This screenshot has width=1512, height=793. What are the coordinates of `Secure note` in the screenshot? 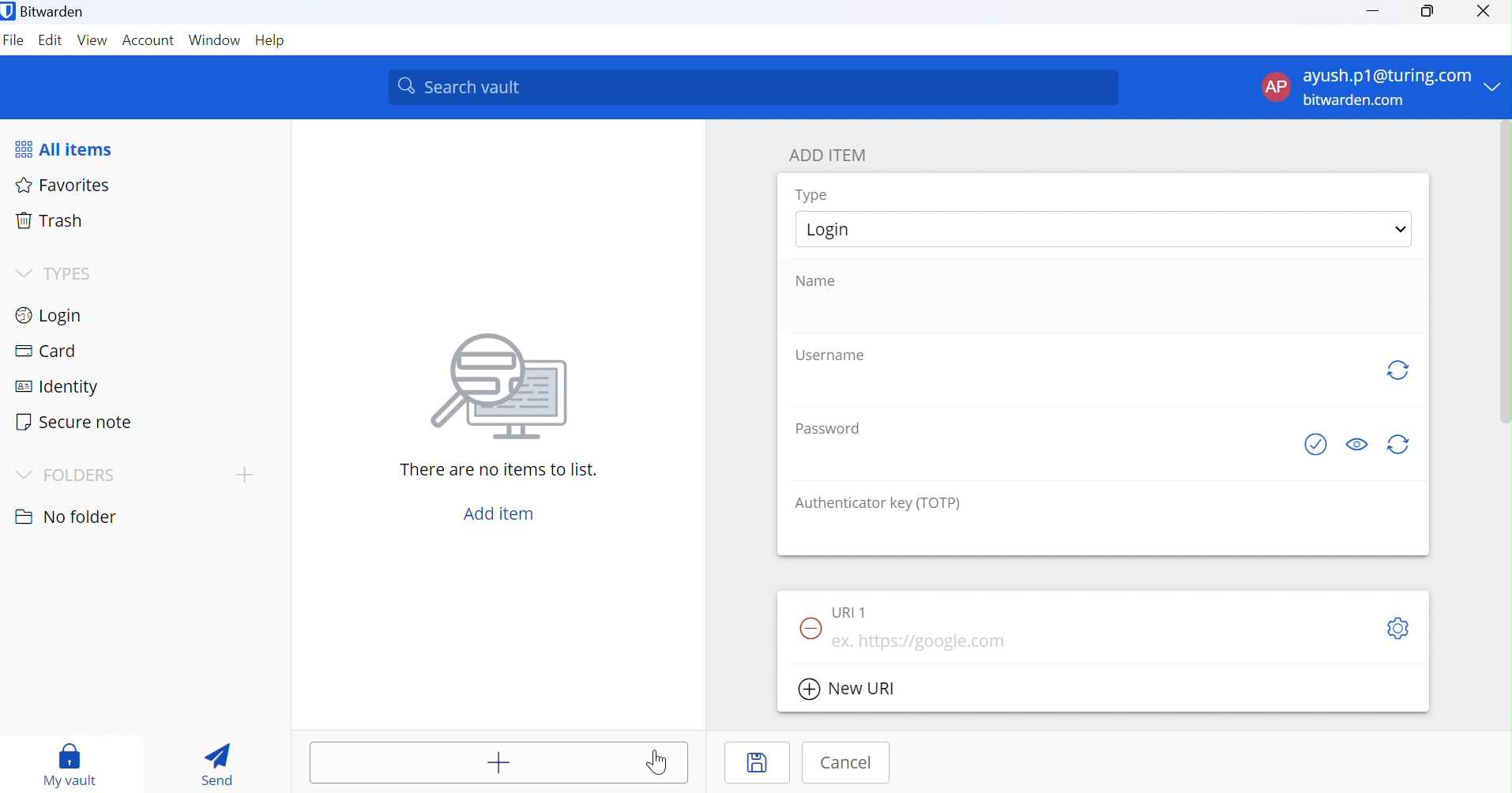 It's located at (77, 421).